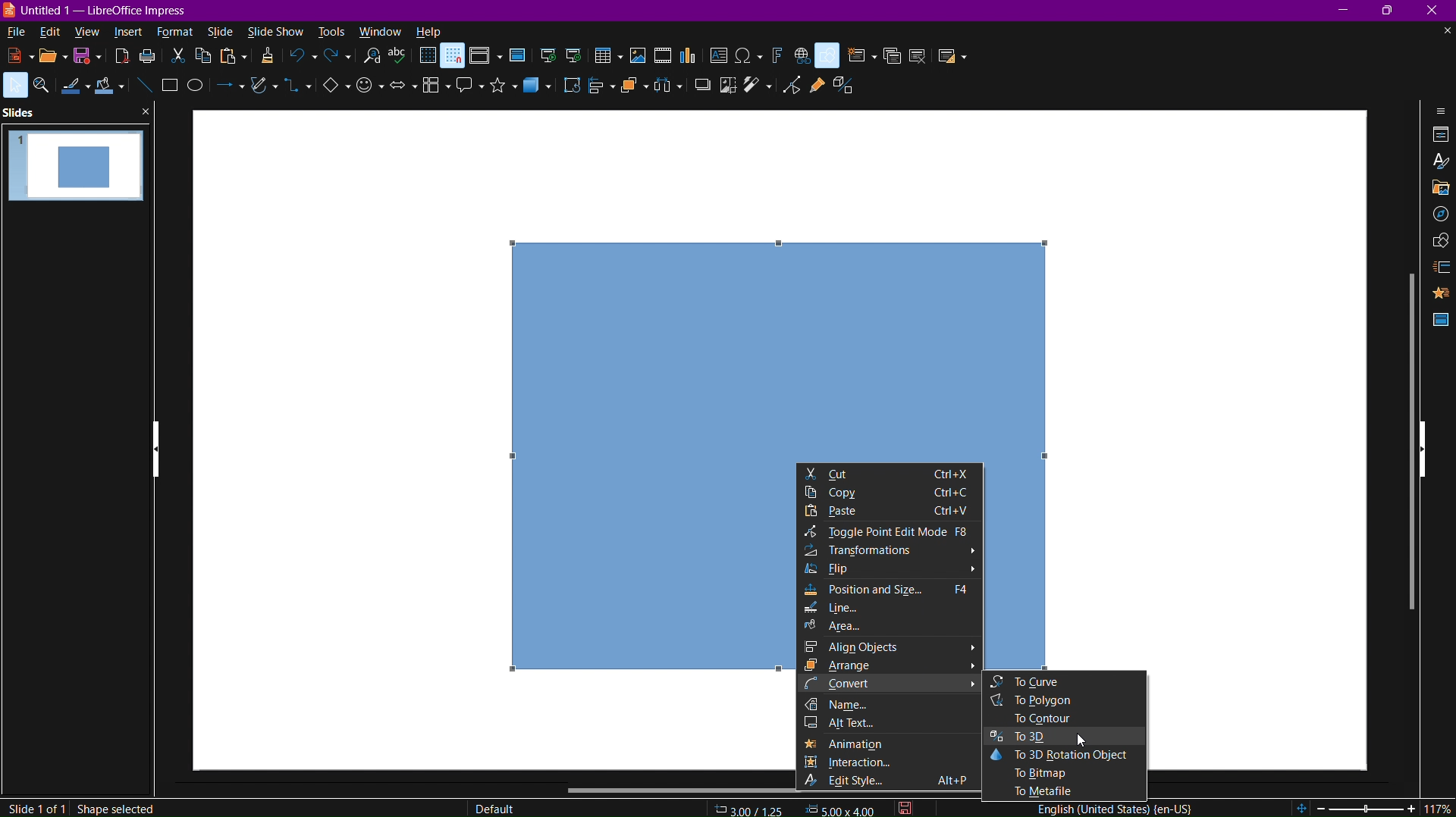 This screenshot has height=817, width=1456. I want to click on To Bitmap, so click(1067, 775).